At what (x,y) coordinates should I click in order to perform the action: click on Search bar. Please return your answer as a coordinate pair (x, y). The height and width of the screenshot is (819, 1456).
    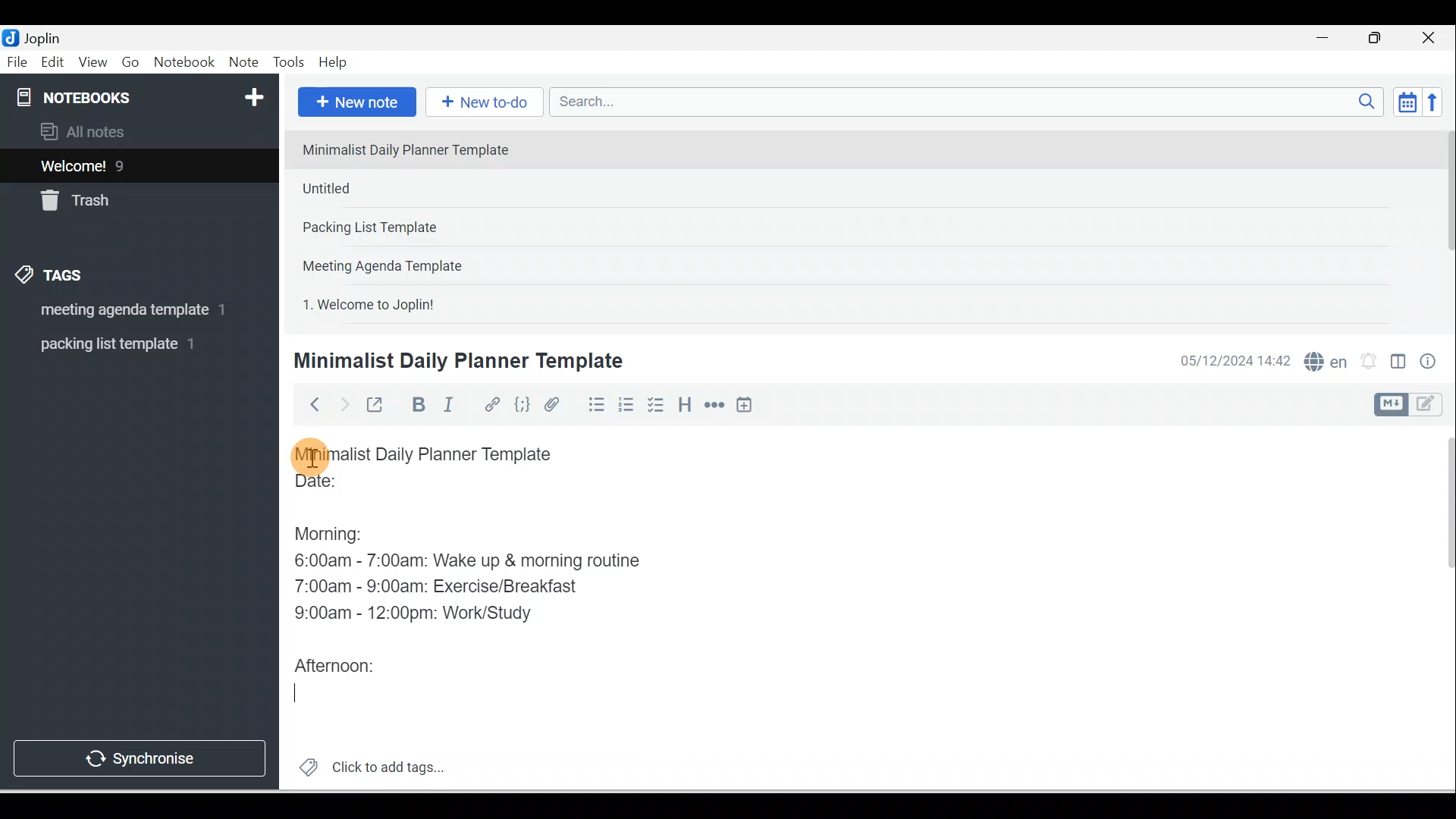
    Looking at the image, I should click on (971, 102).